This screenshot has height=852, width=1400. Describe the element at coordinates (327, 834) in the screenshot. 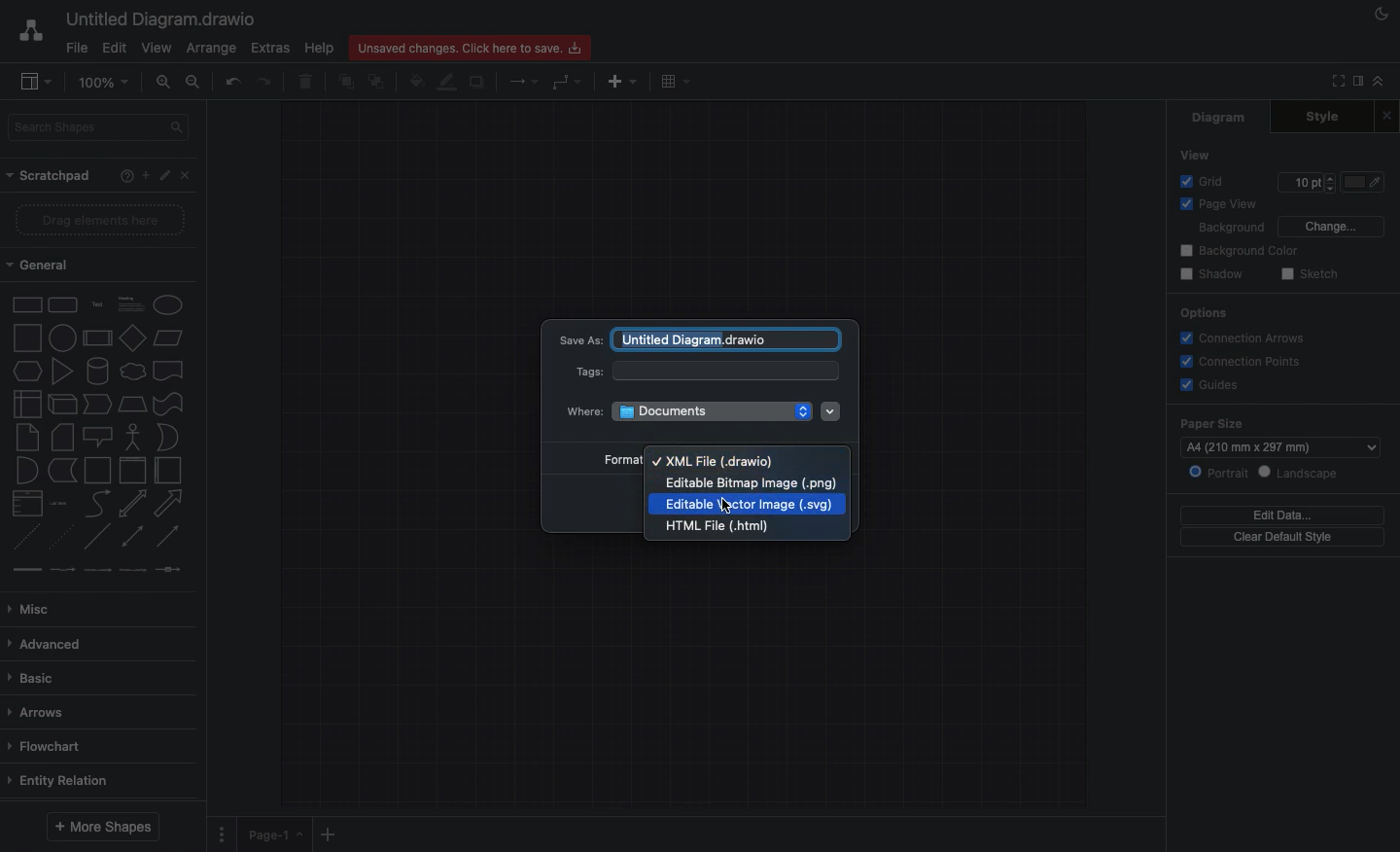

I see `Add` at that location.